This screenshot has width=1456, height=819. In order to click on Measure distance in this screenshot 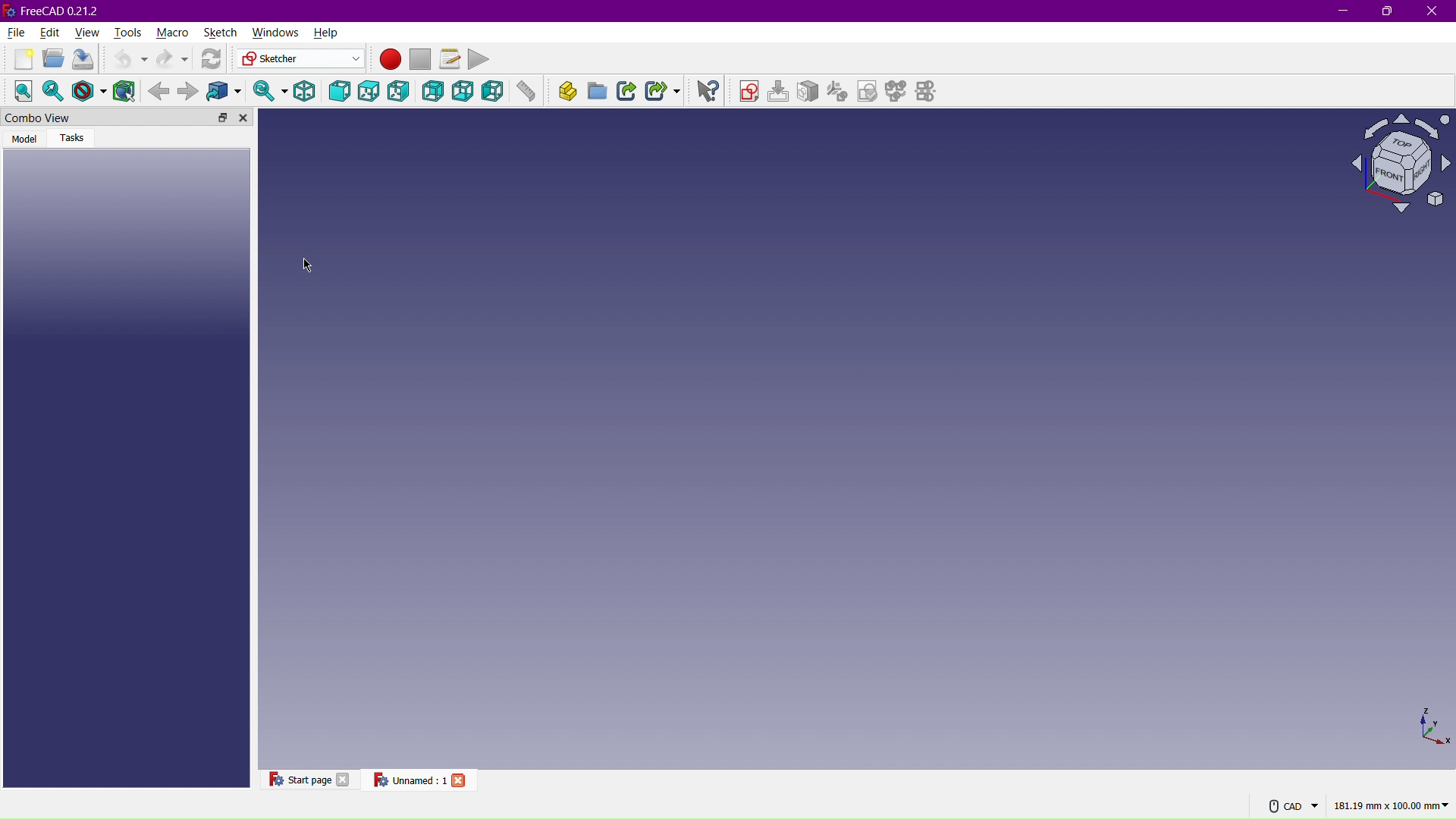, I will do `click(527, 89)`.